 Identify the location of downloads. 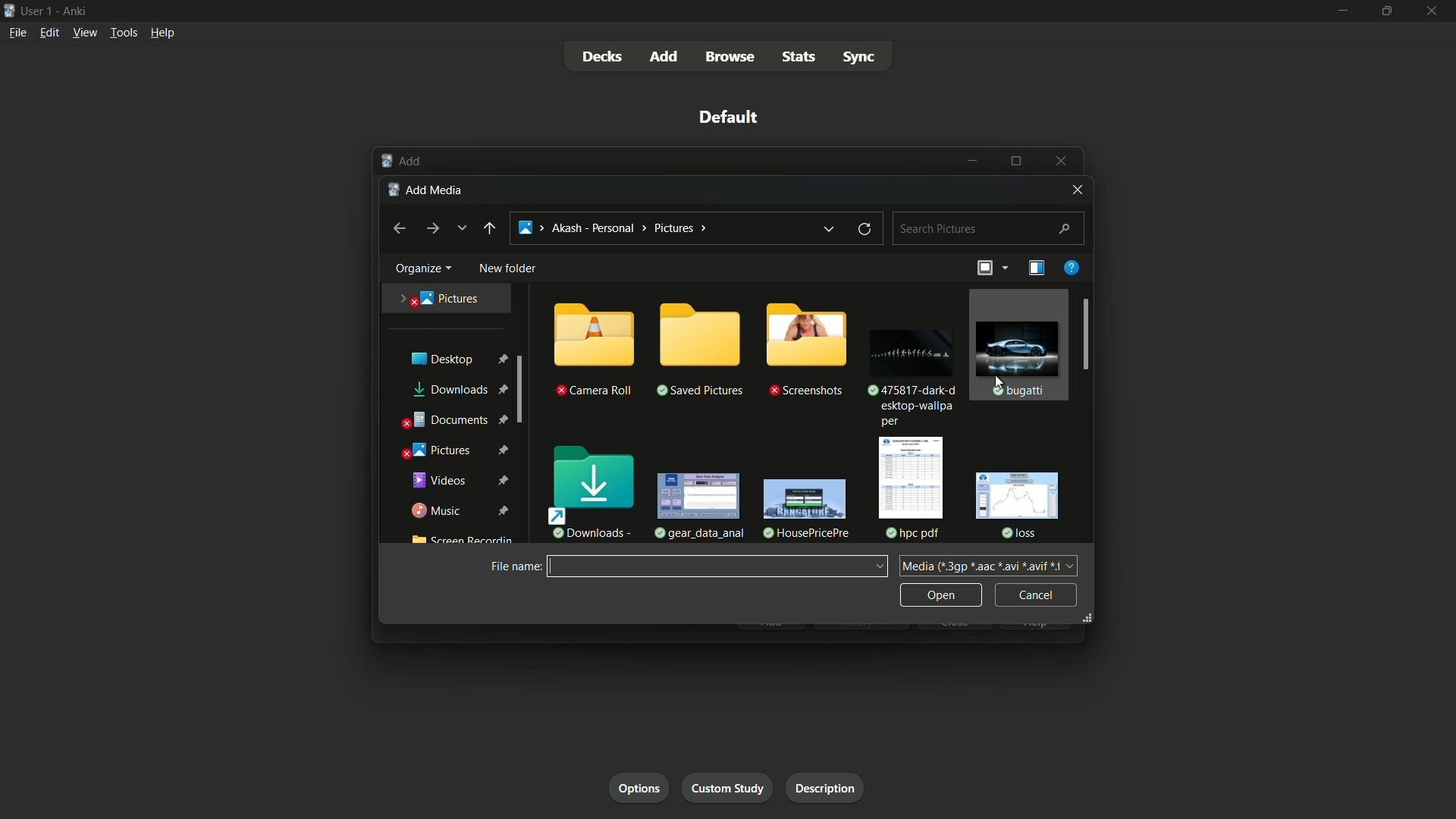
(457, 390).